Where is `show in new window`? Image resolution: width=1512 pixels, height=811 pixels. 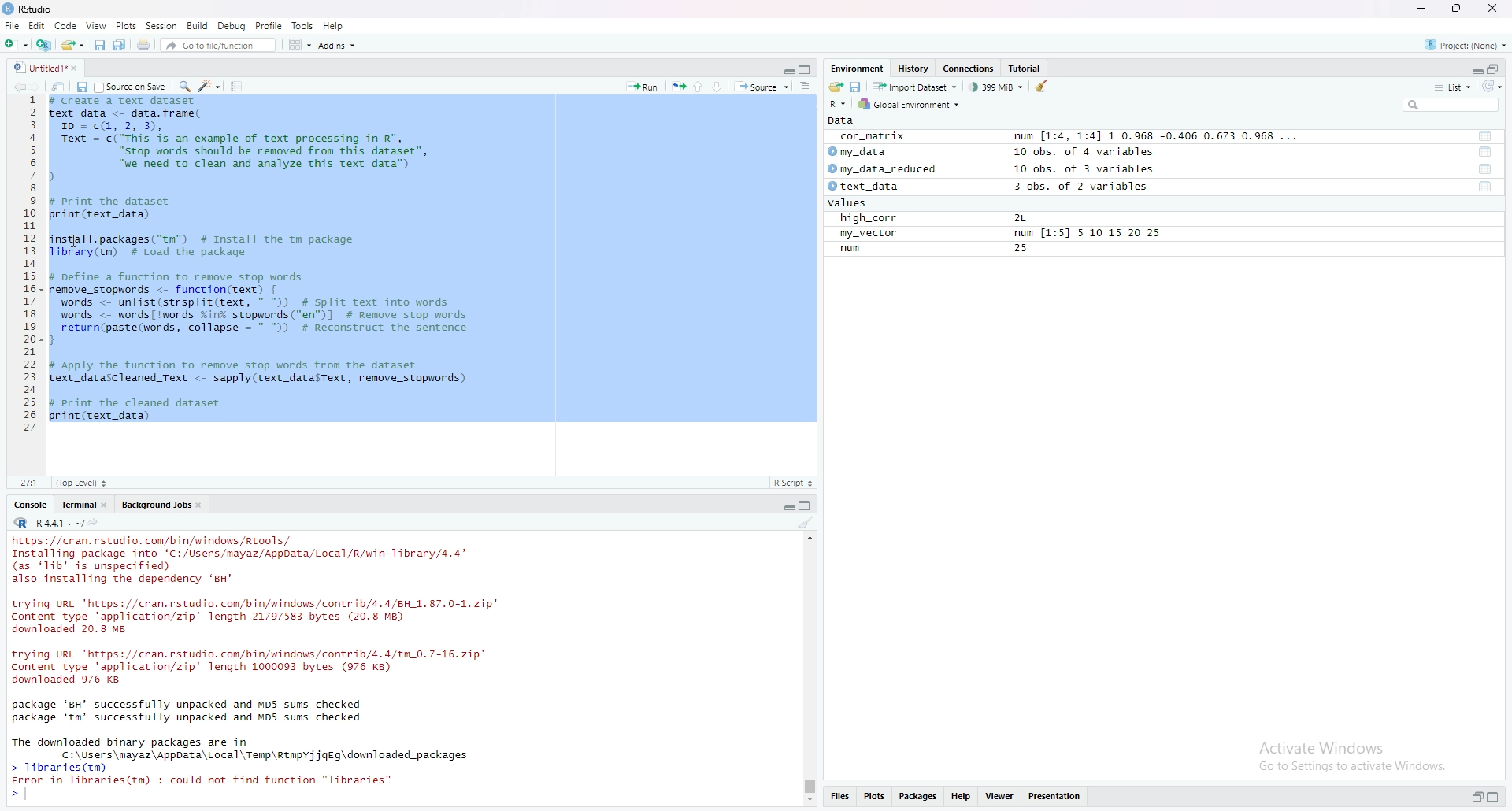 show in new window is located at coordinates (59, 87).